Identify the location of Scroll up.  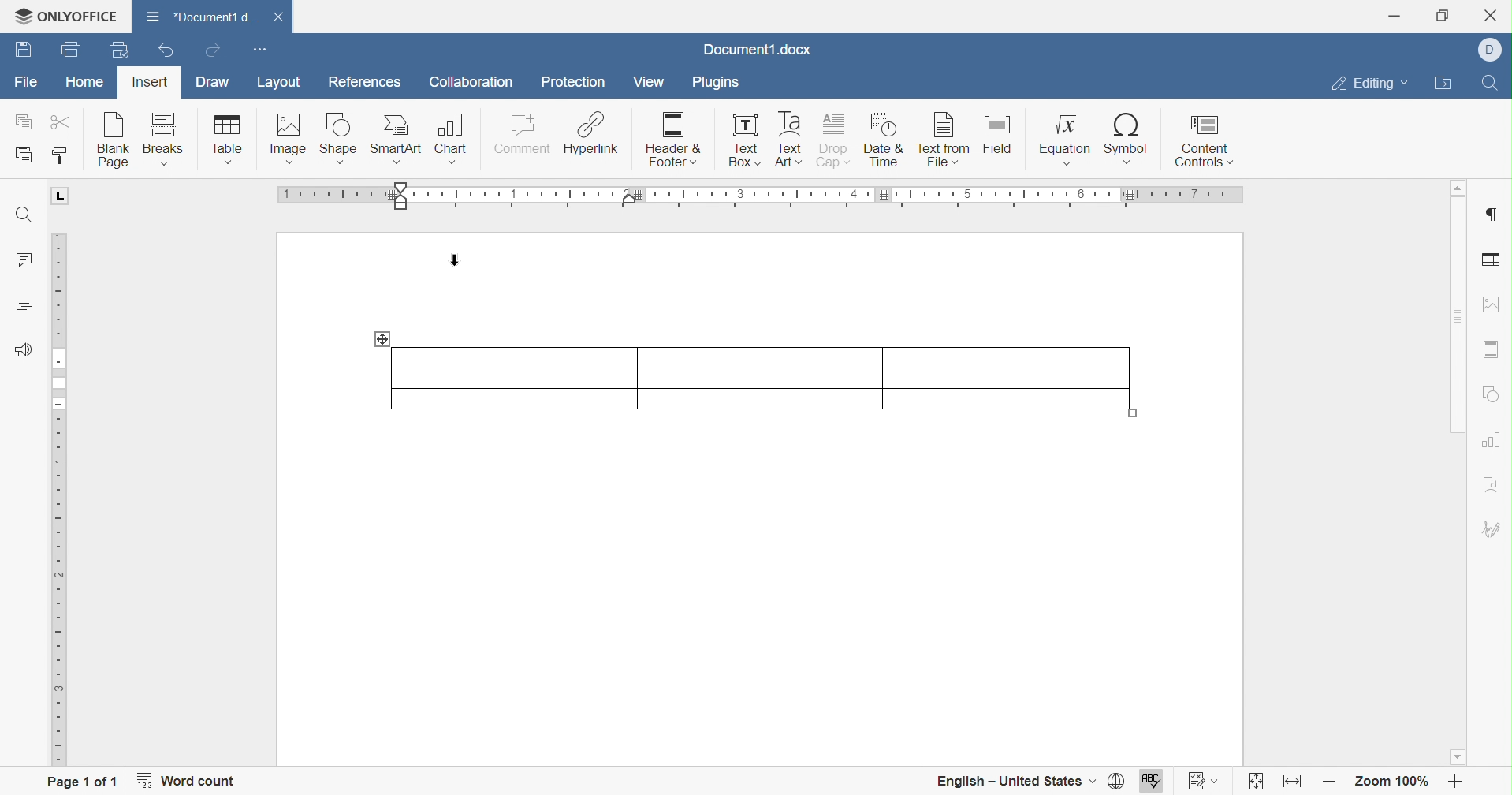
(1456, 188).